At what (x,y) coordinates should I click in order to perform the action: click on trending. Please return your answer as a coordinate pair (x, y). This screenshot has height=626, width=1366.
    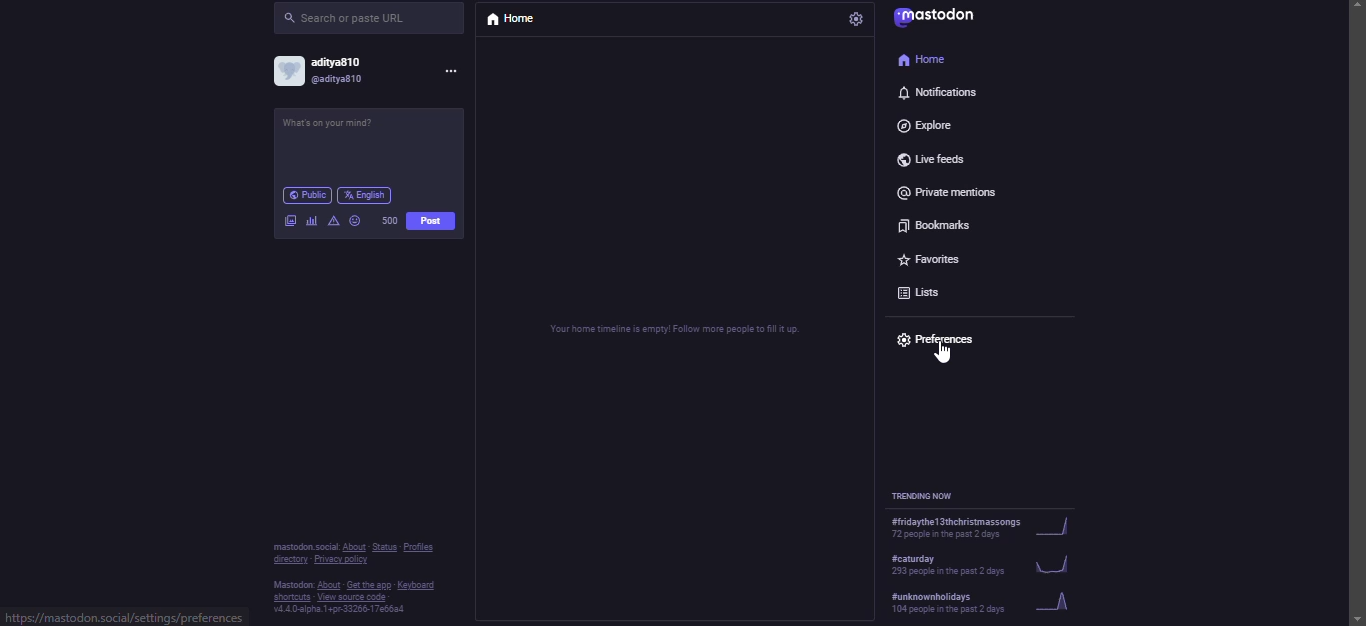
    Looking at the image, I should click on (921, 496).